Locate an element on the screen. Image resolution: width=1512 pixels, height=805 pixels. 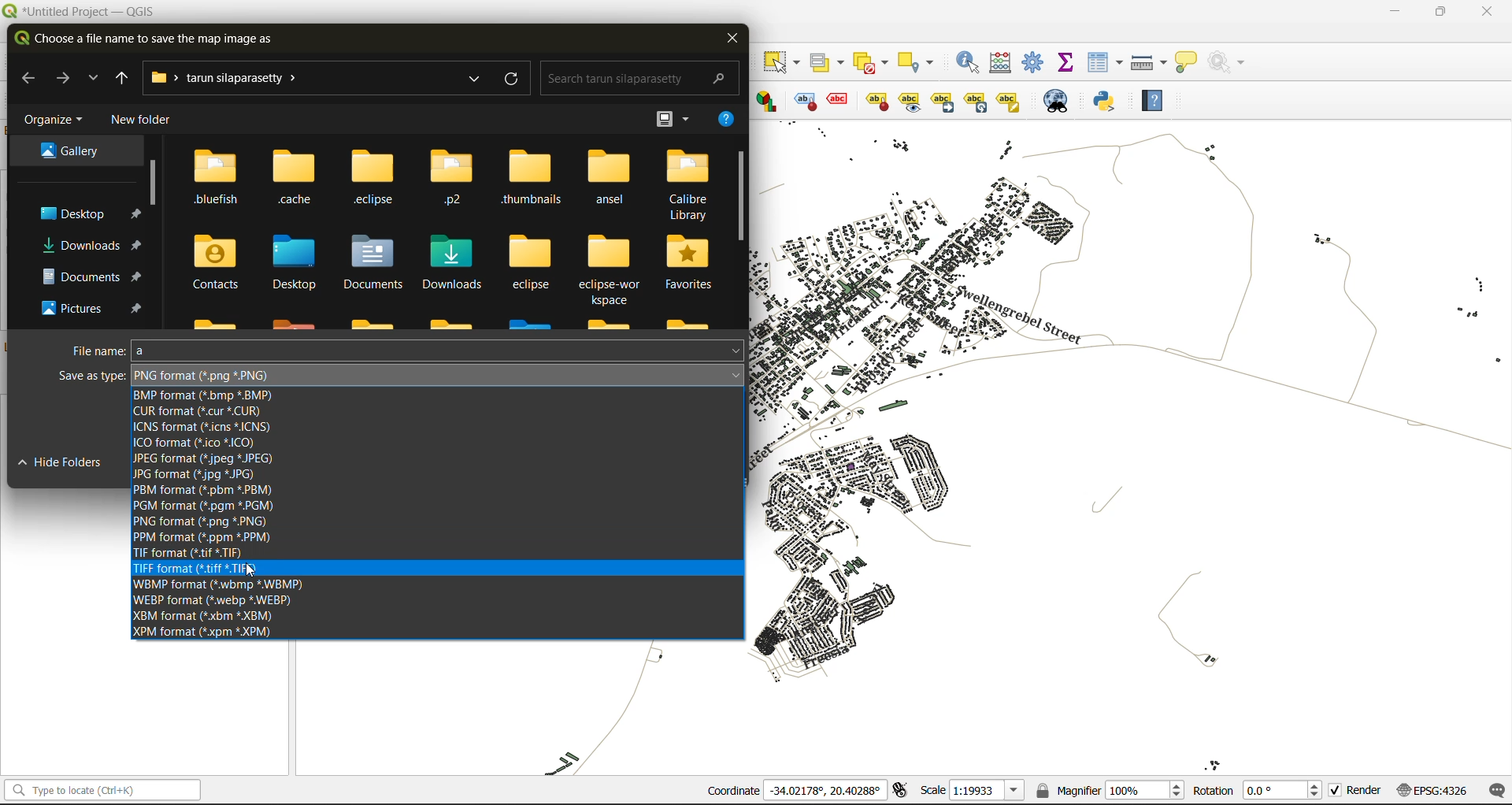
back is located at coordinates (28, 76).